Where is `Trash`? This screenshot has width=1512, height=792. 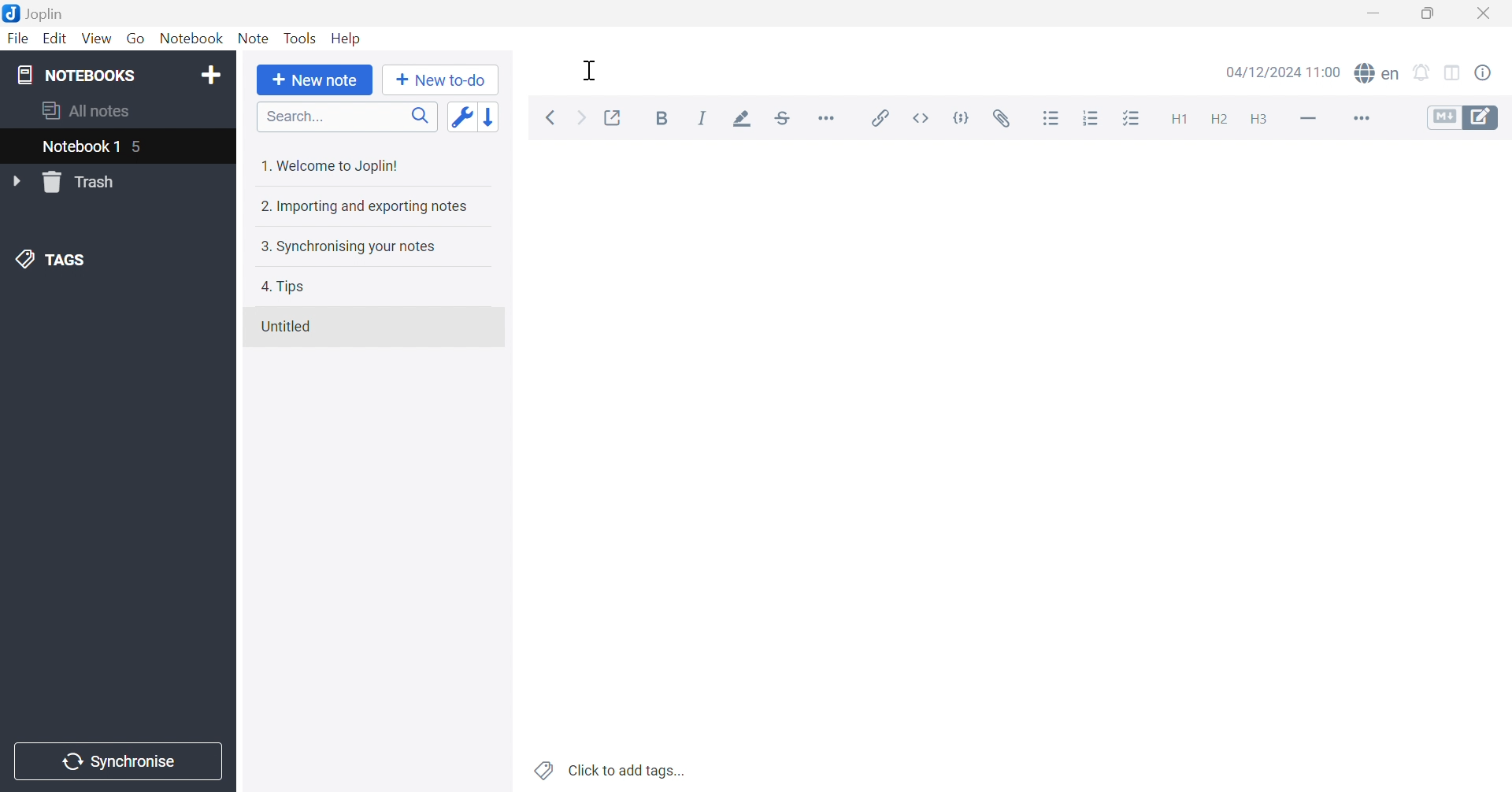
Trash is located at coordinates (84, 183).